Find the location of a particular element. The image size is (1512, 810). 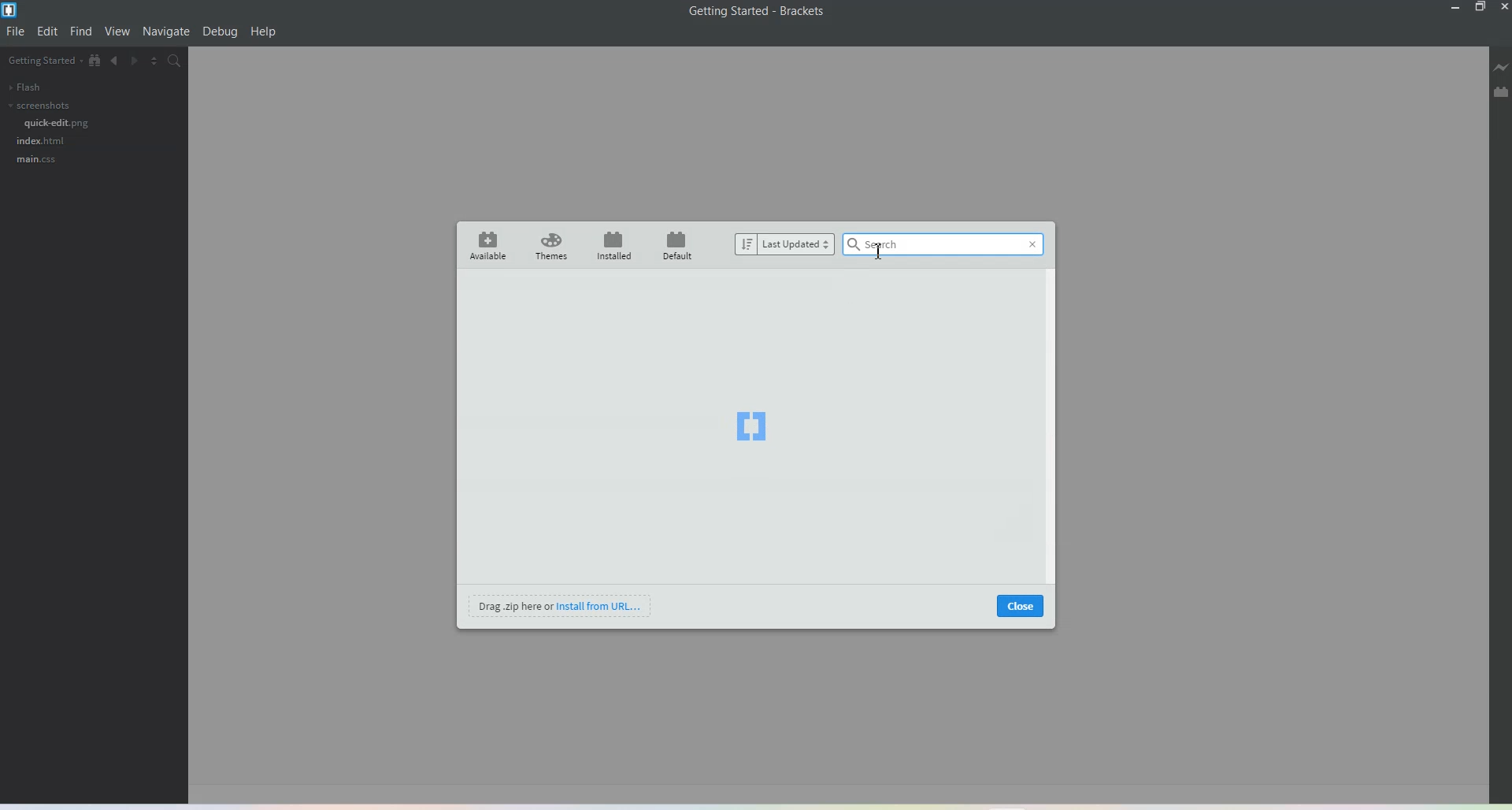

View is located at coordinates (118, 32).